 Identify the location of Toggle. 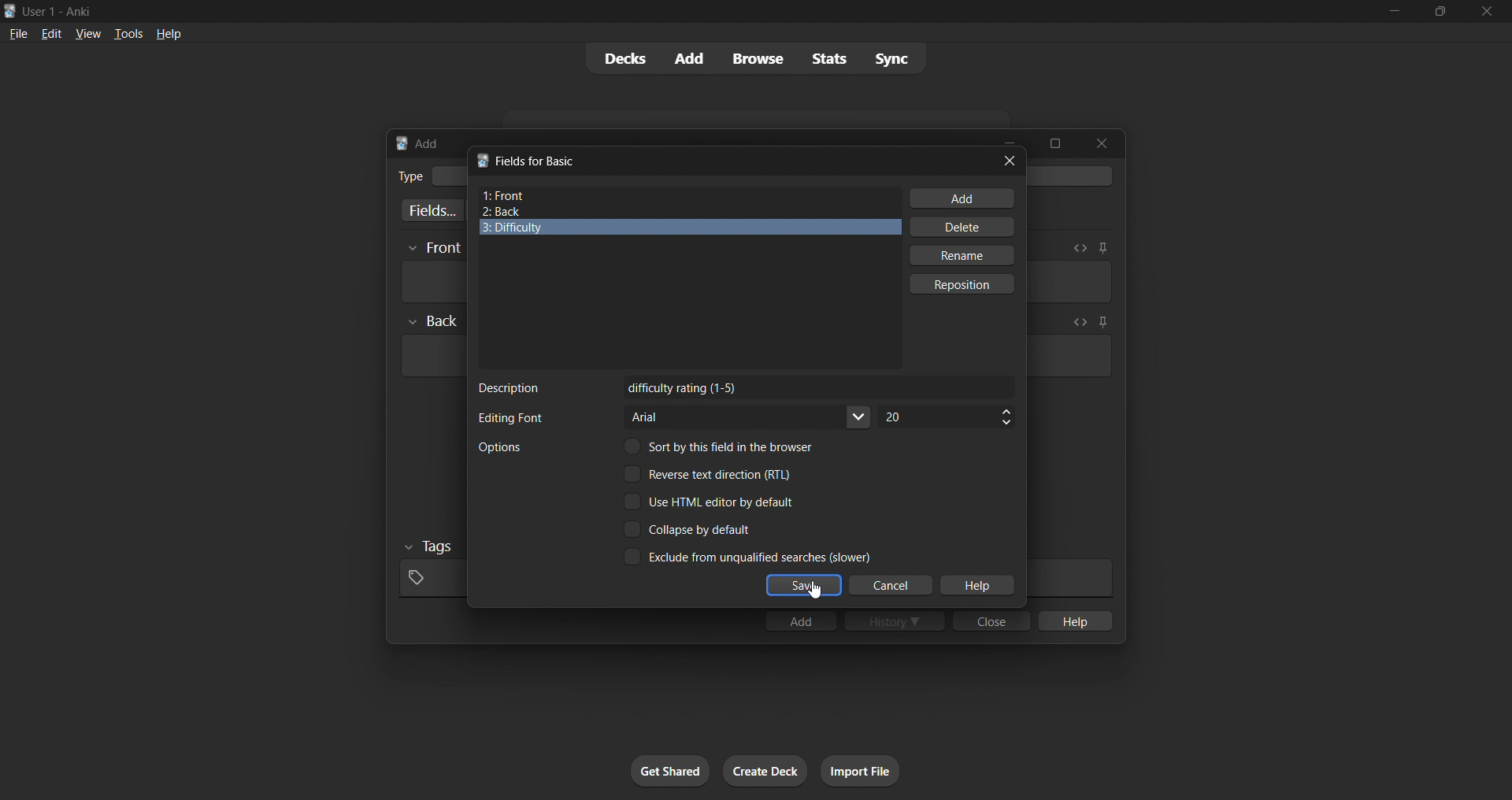
(710, 473).